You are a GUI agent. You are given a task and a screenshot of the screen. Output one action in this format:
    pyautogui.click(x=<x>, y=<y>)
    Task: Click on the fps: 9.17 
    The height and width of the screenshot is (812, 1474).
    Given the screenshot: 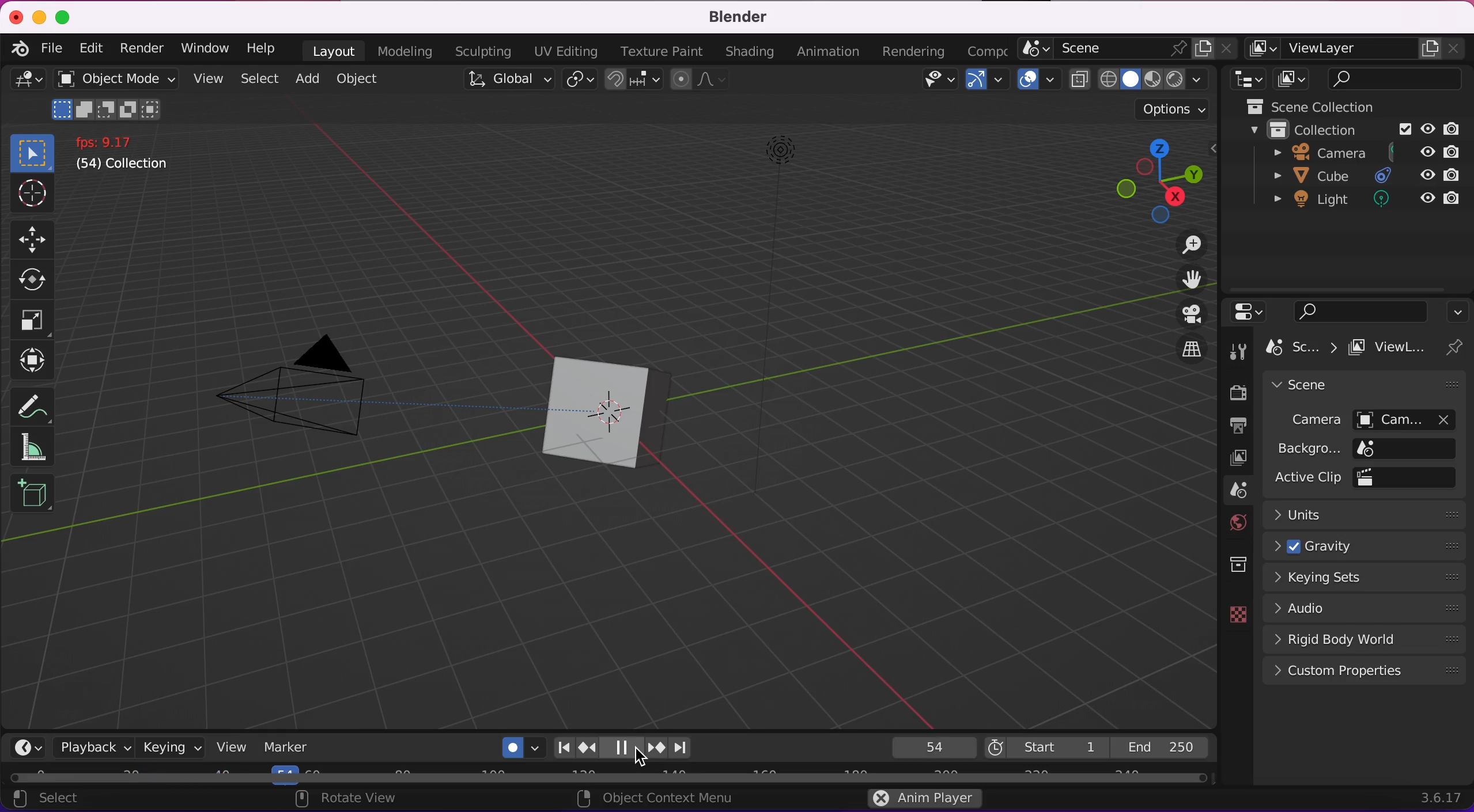 What is the action you would take?
    pyautogui.click(x=109, y=142)
    